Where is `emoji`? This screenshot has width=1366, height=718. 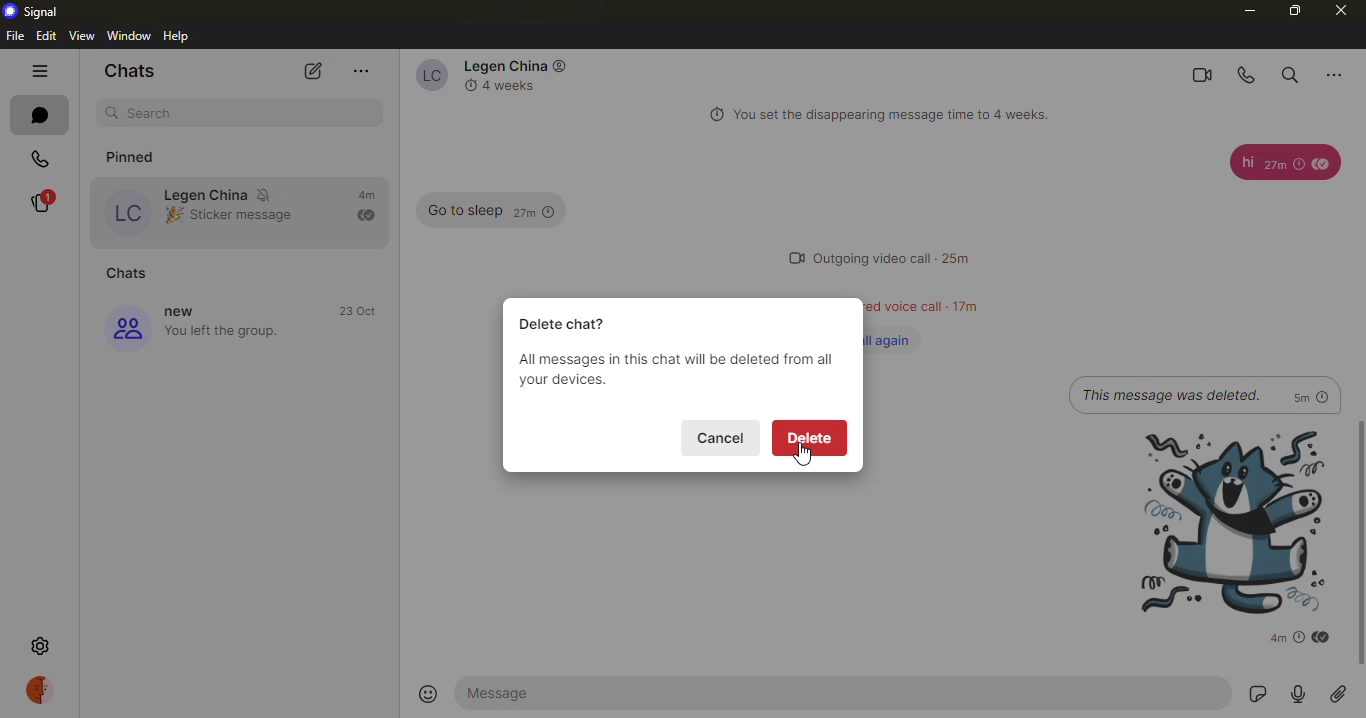
emoji is located at coordinates (172, 216).